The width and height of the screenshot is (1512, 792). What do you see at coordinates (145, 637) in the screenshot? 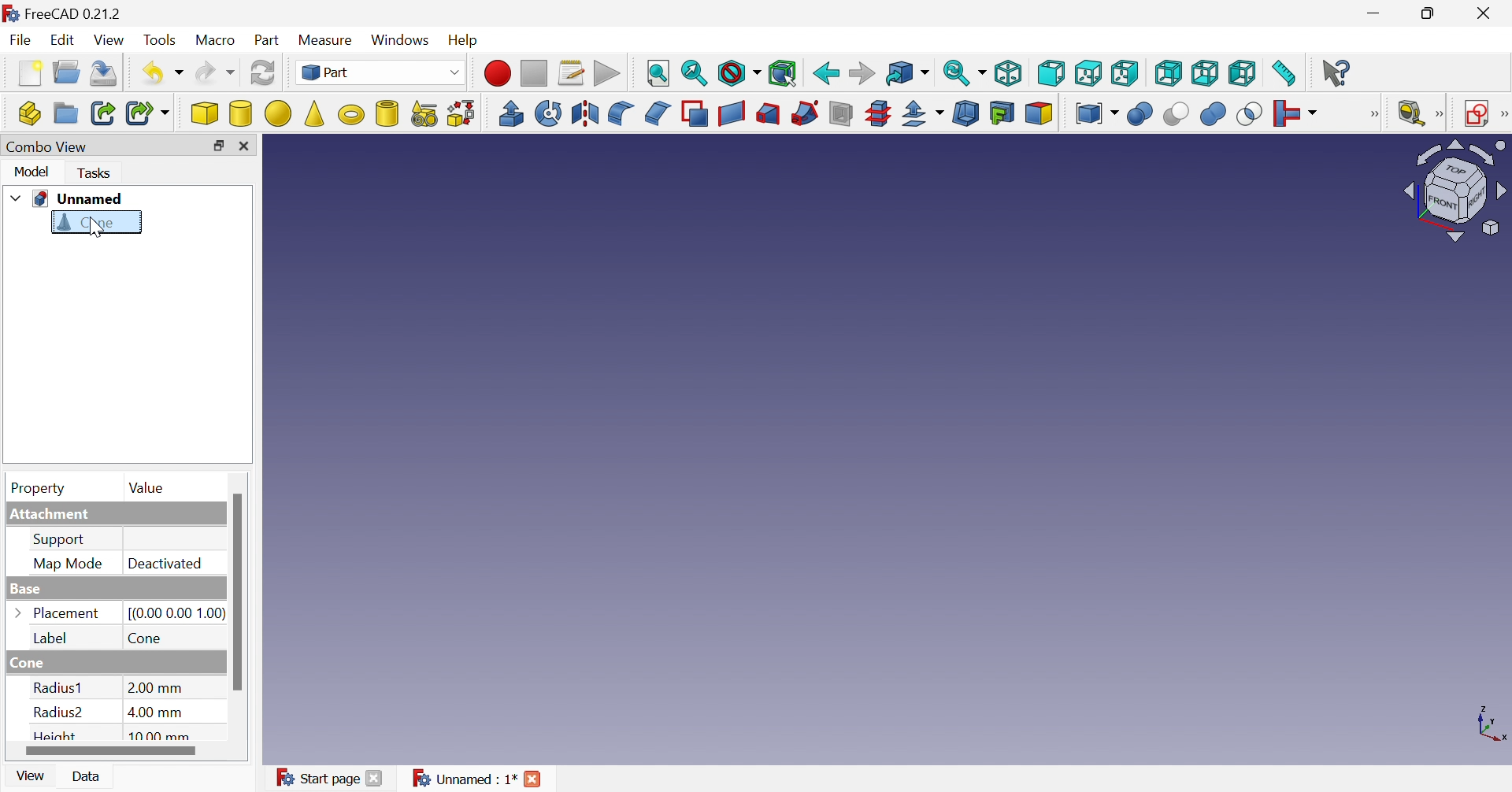
I see `Cone` at bounding box center [145, 637].